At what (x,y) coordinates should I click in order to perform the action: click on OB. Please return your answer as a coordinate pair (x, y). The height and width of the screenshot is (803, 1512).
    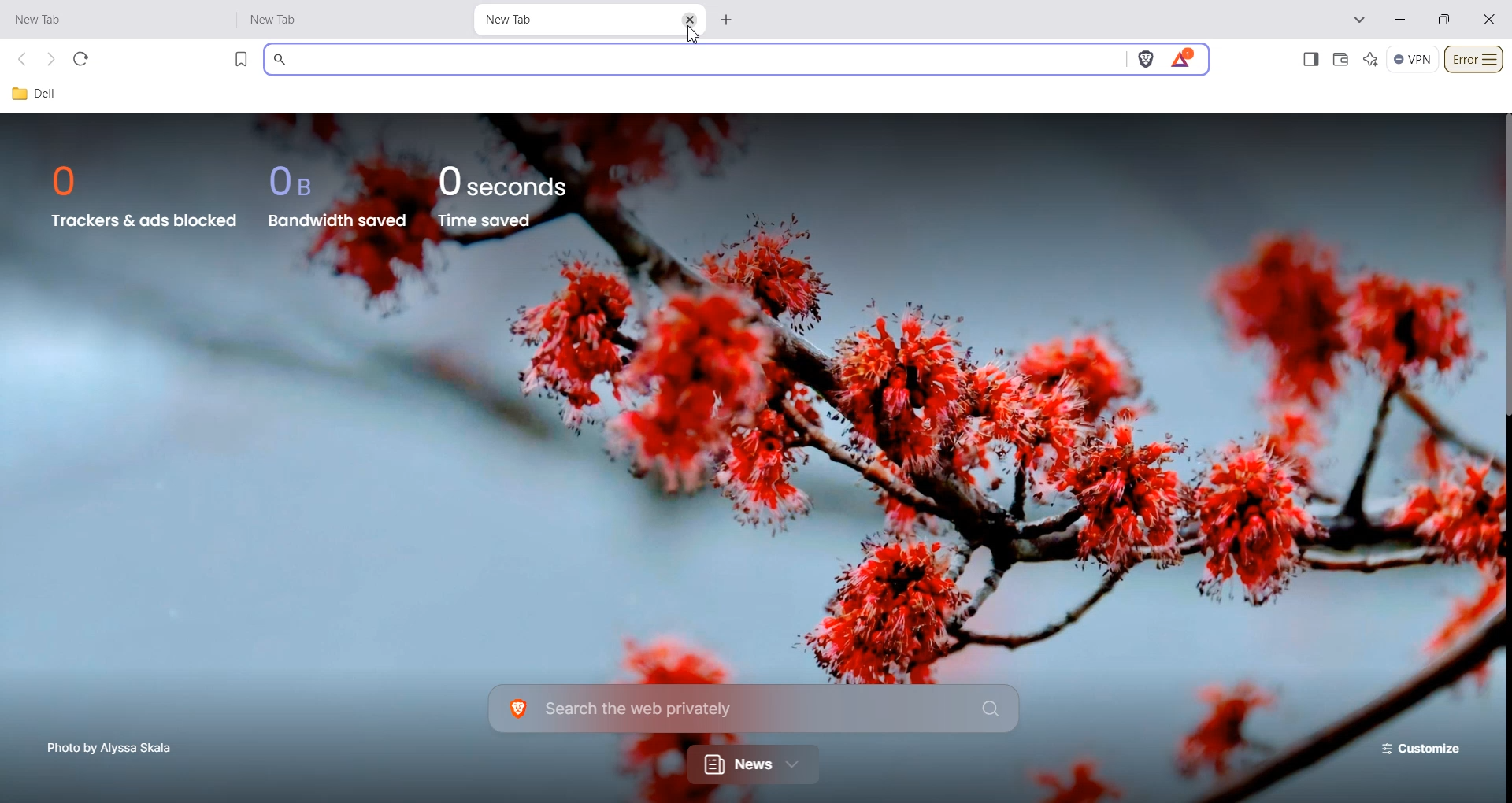
    Looking at the image, I should click on (301, 181).